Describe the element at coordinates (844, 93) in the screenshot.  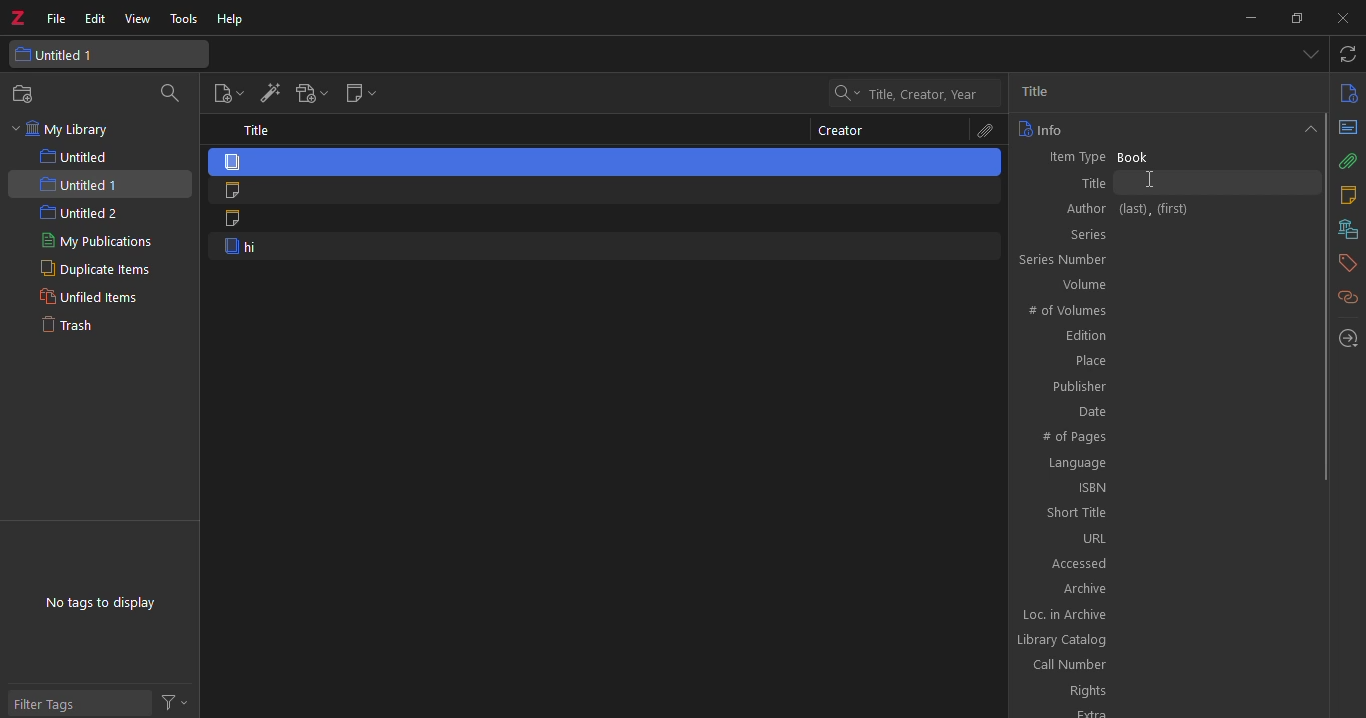
I see `search option drop down` at that location.